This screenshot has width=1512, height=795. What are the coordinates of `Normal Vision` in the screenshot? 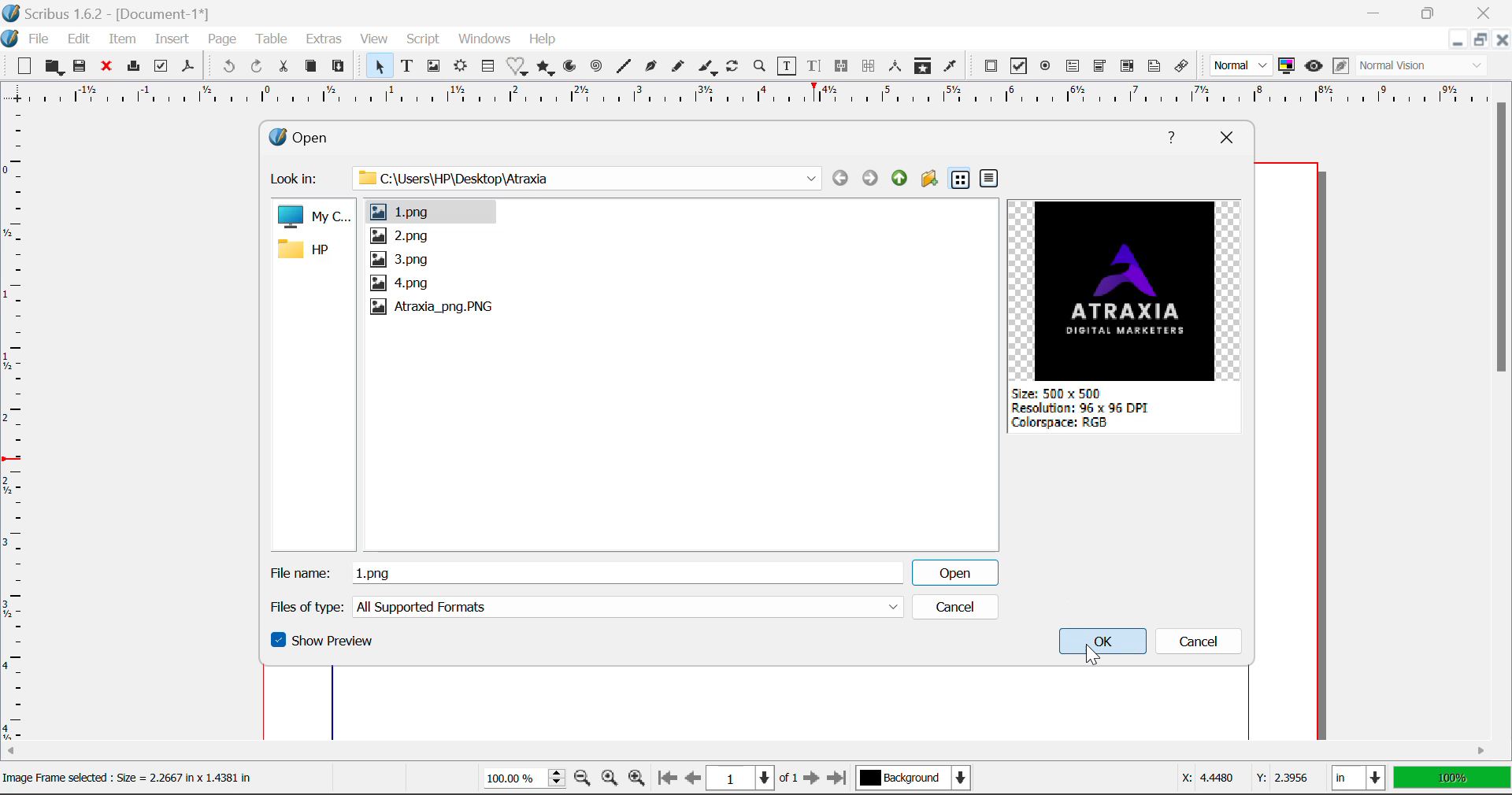 It's located at (1424, 67).